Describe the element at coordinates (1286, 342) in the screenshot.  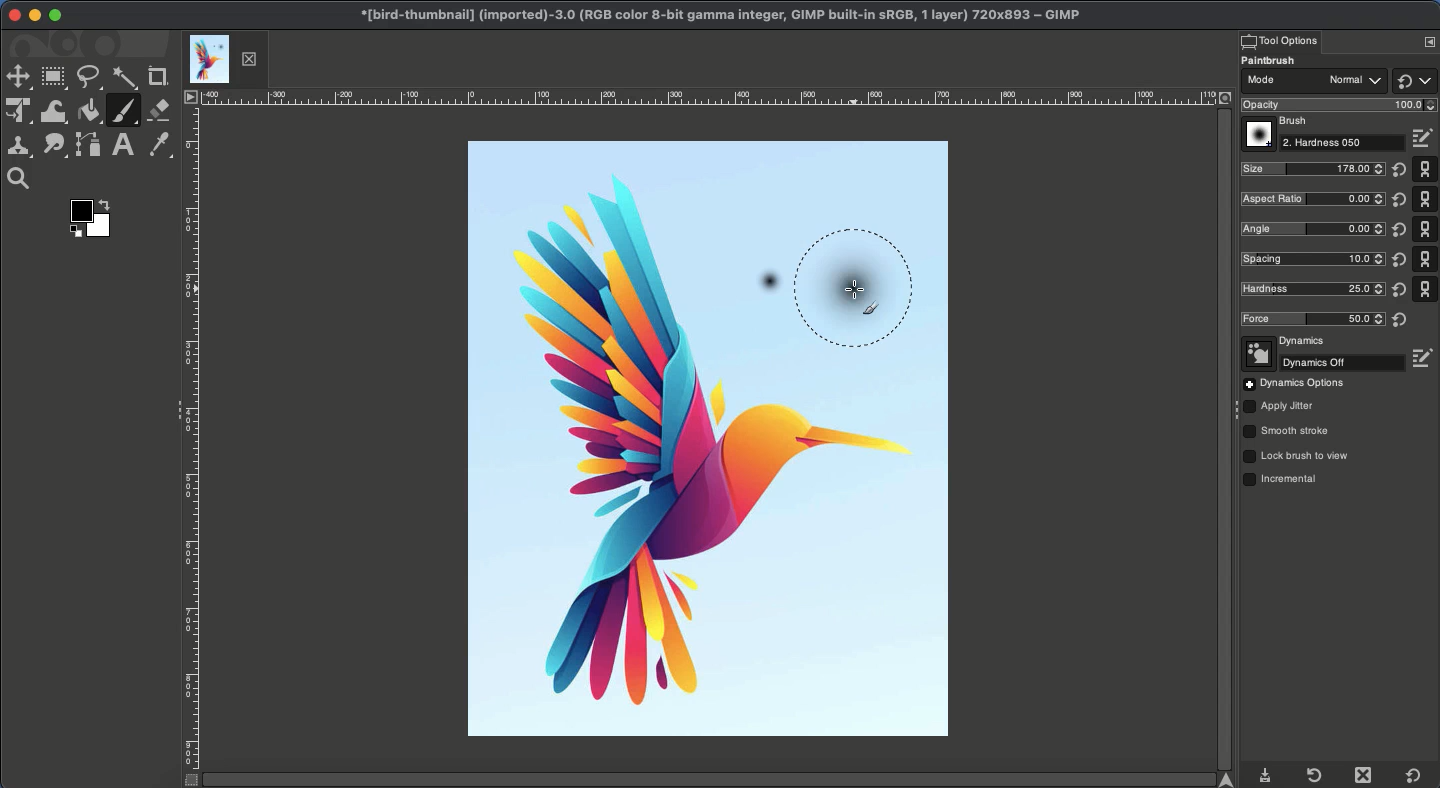
I see `Dynamics` at that location.